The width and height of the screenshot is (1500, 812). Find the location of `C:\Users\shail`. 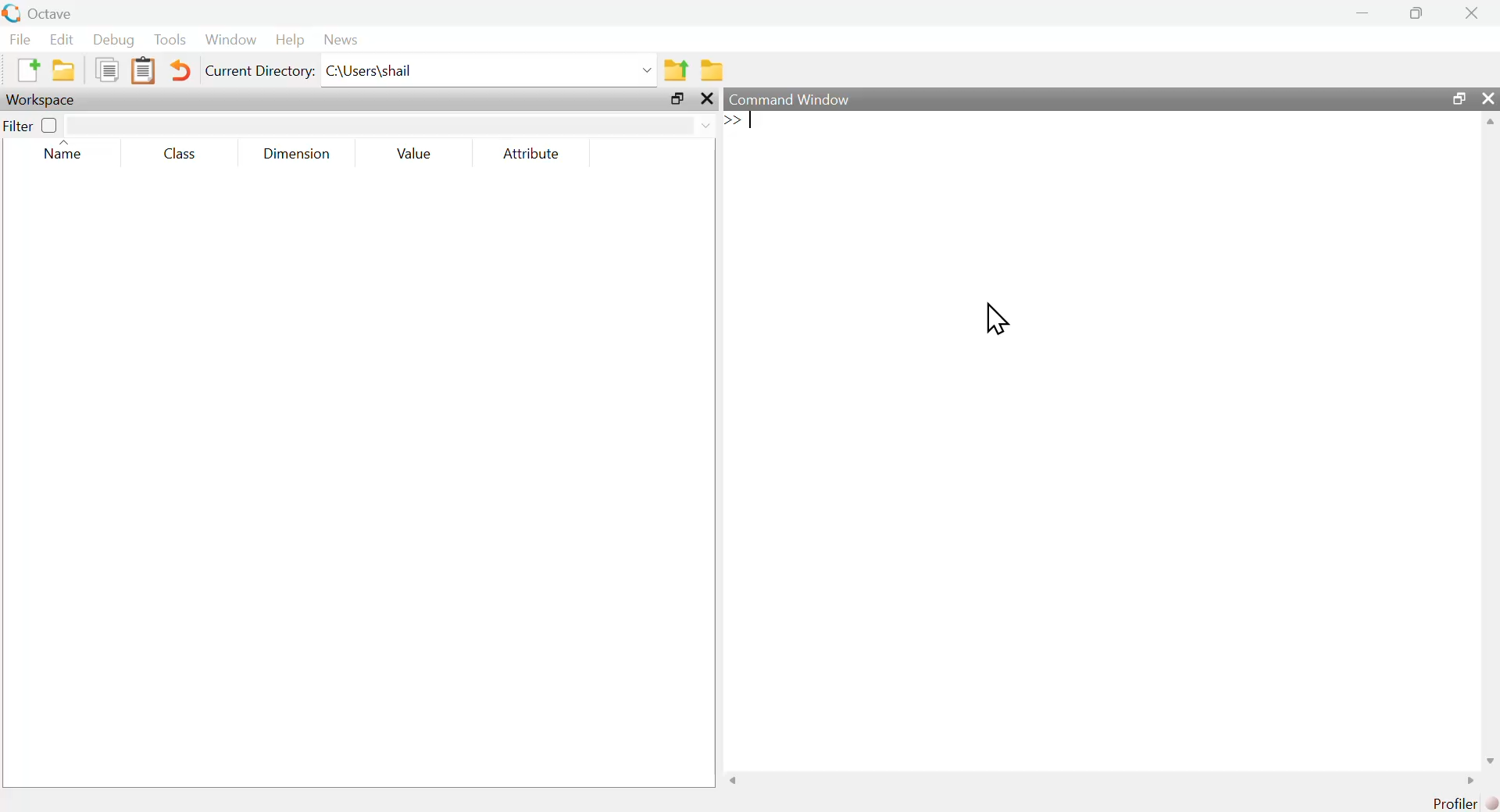

C:\Users\shail is located at coordinates (370, 69).